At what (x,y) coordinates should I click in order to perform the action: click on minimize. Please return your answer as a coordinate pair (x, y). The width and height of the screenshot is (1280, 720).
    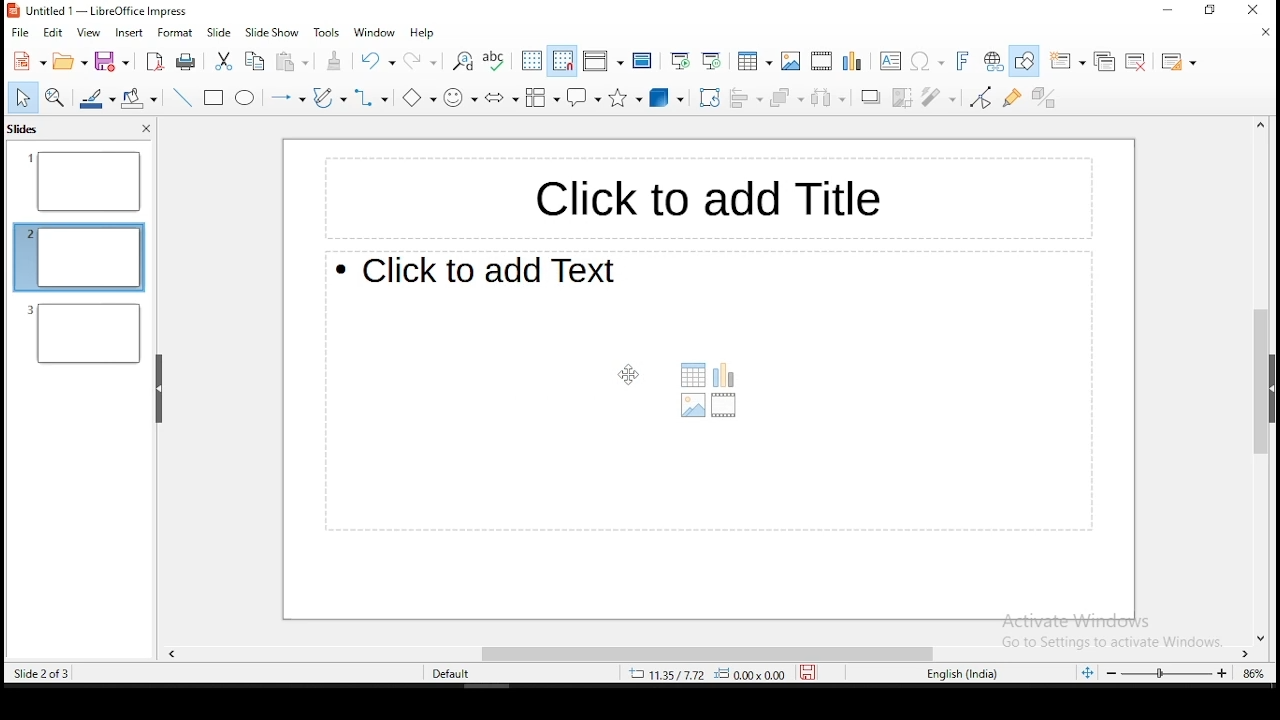
    Looking at the image, I should click on (1156, 14).